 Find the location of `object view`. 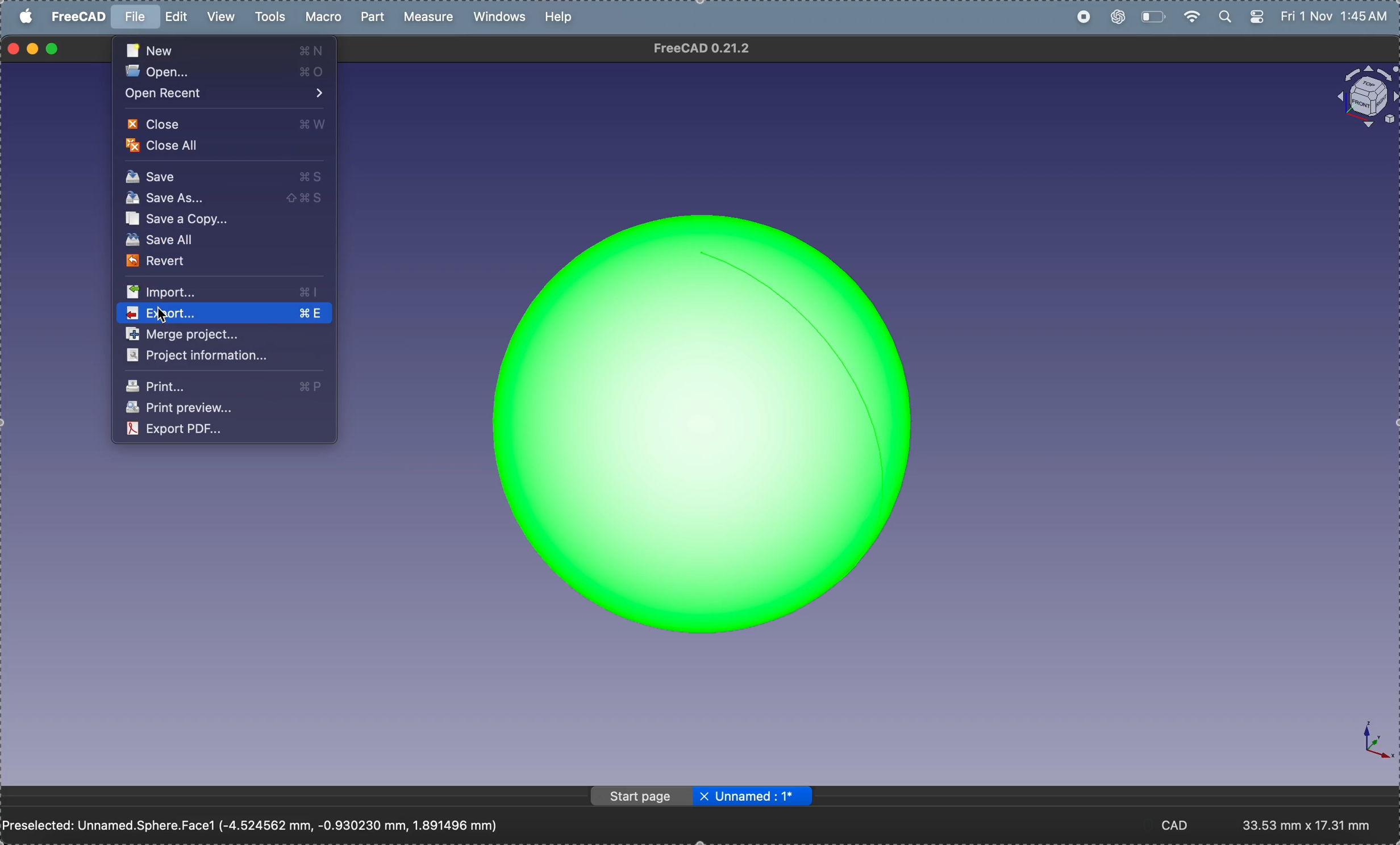

object view is located at coordinates (1359, 98).